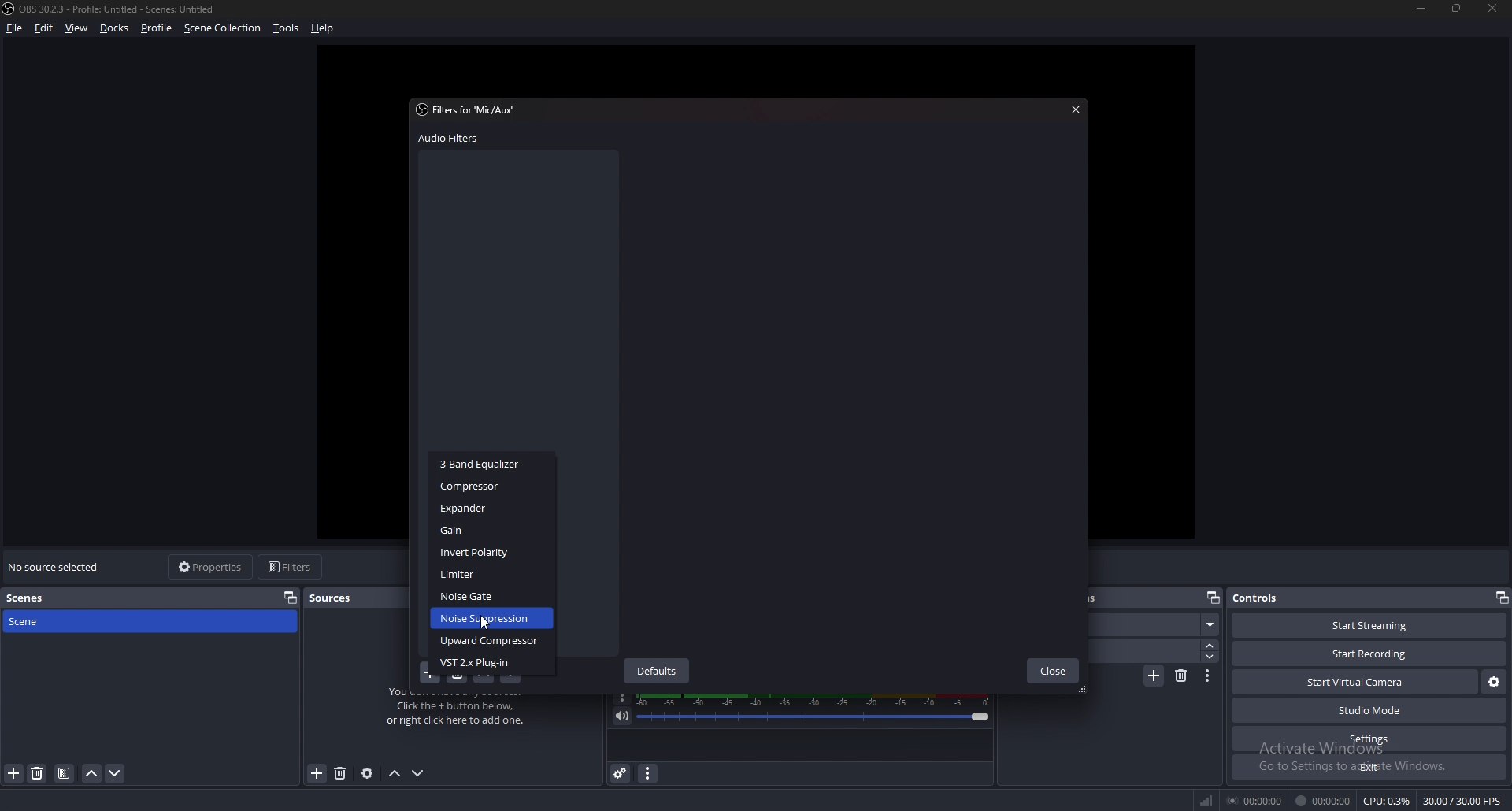 Image resolution: width=1512 pixels, height=811 pixels. Describe the element at coordinates (1053, 671) in the screenshot. I see `close` at that location.